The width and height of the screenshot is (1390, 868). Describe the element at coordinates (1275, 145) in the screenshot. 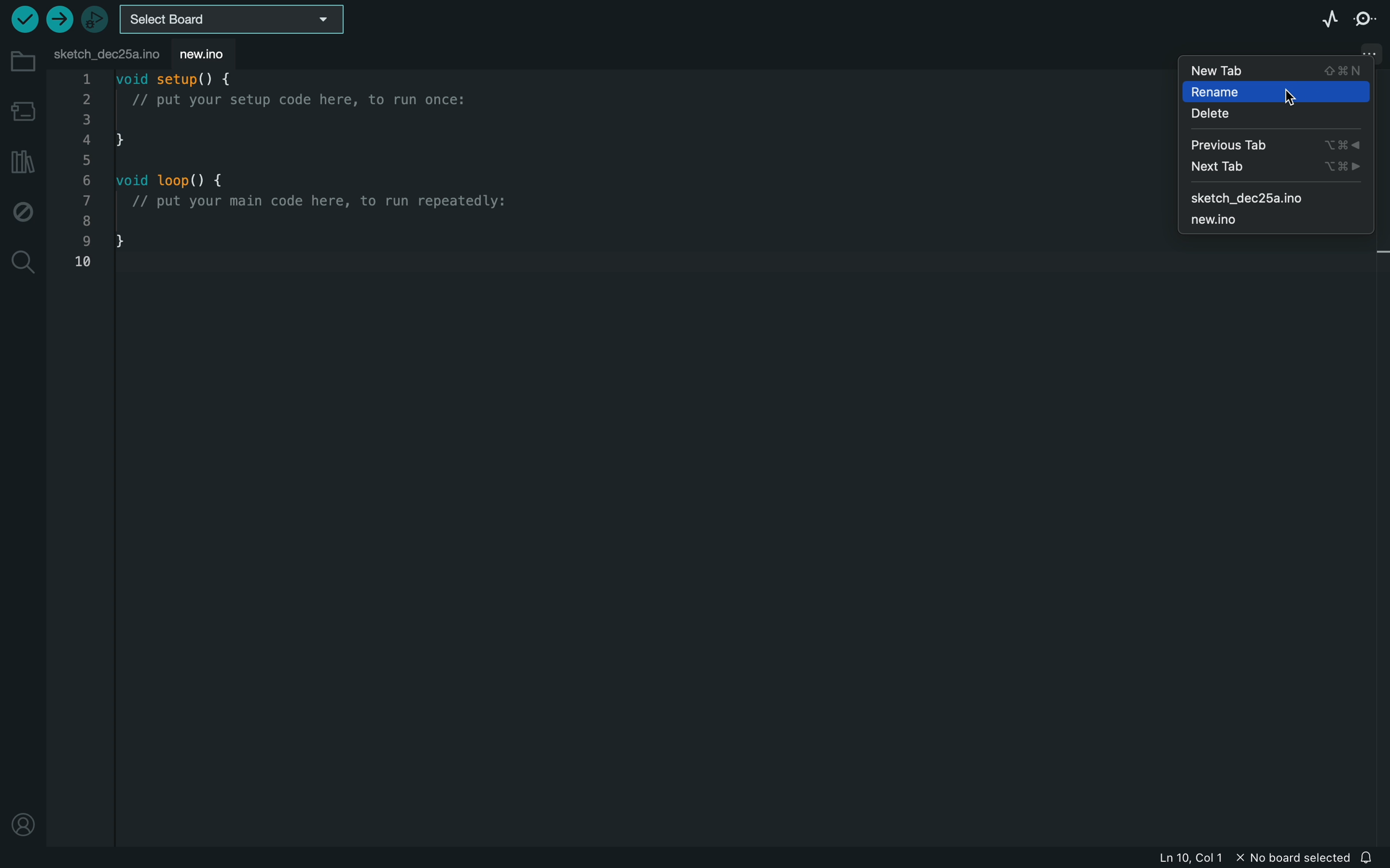

I see `previous tab` at that location.